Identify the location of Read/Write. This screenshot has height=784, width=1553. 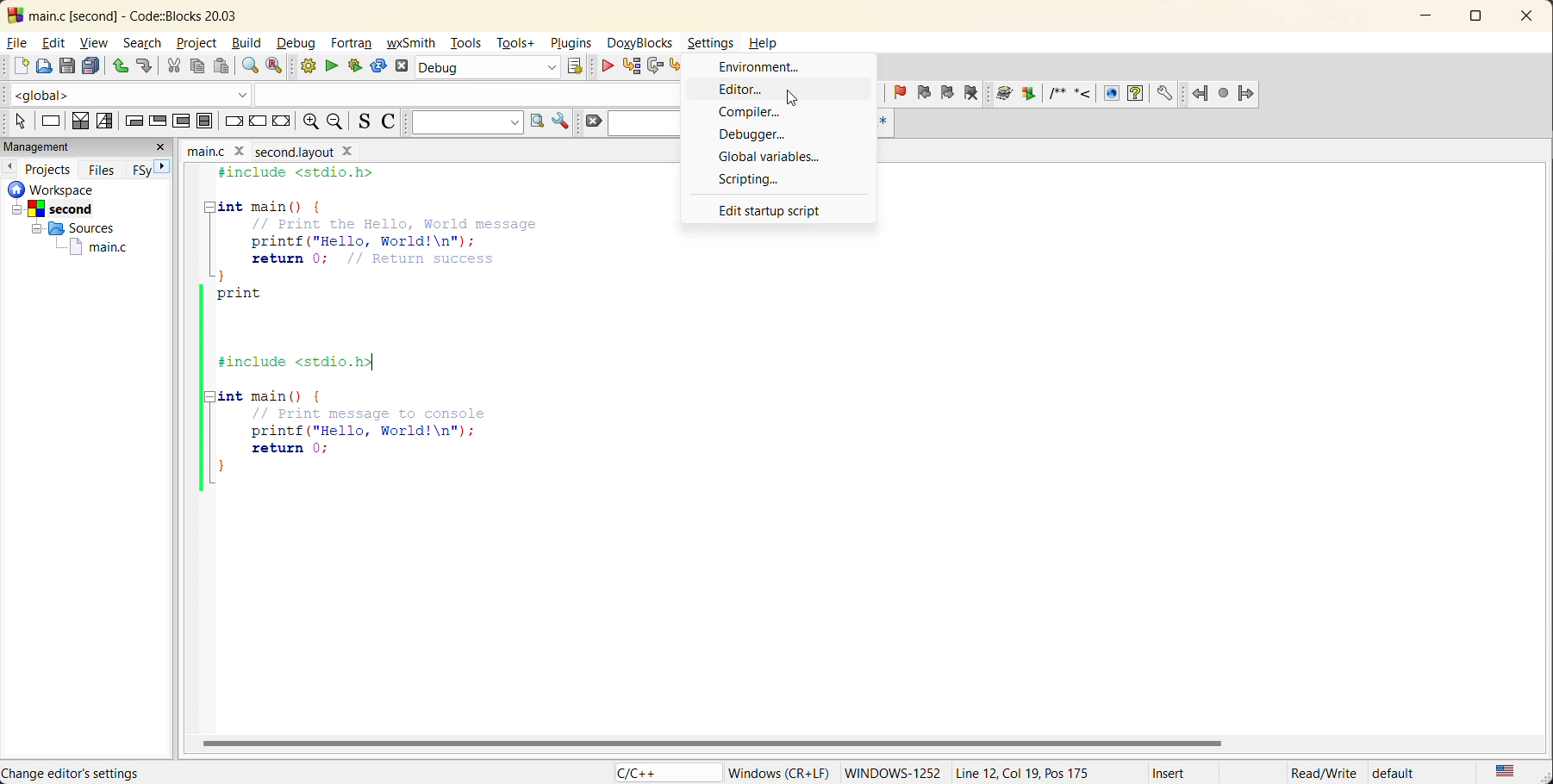
(1323, 771).